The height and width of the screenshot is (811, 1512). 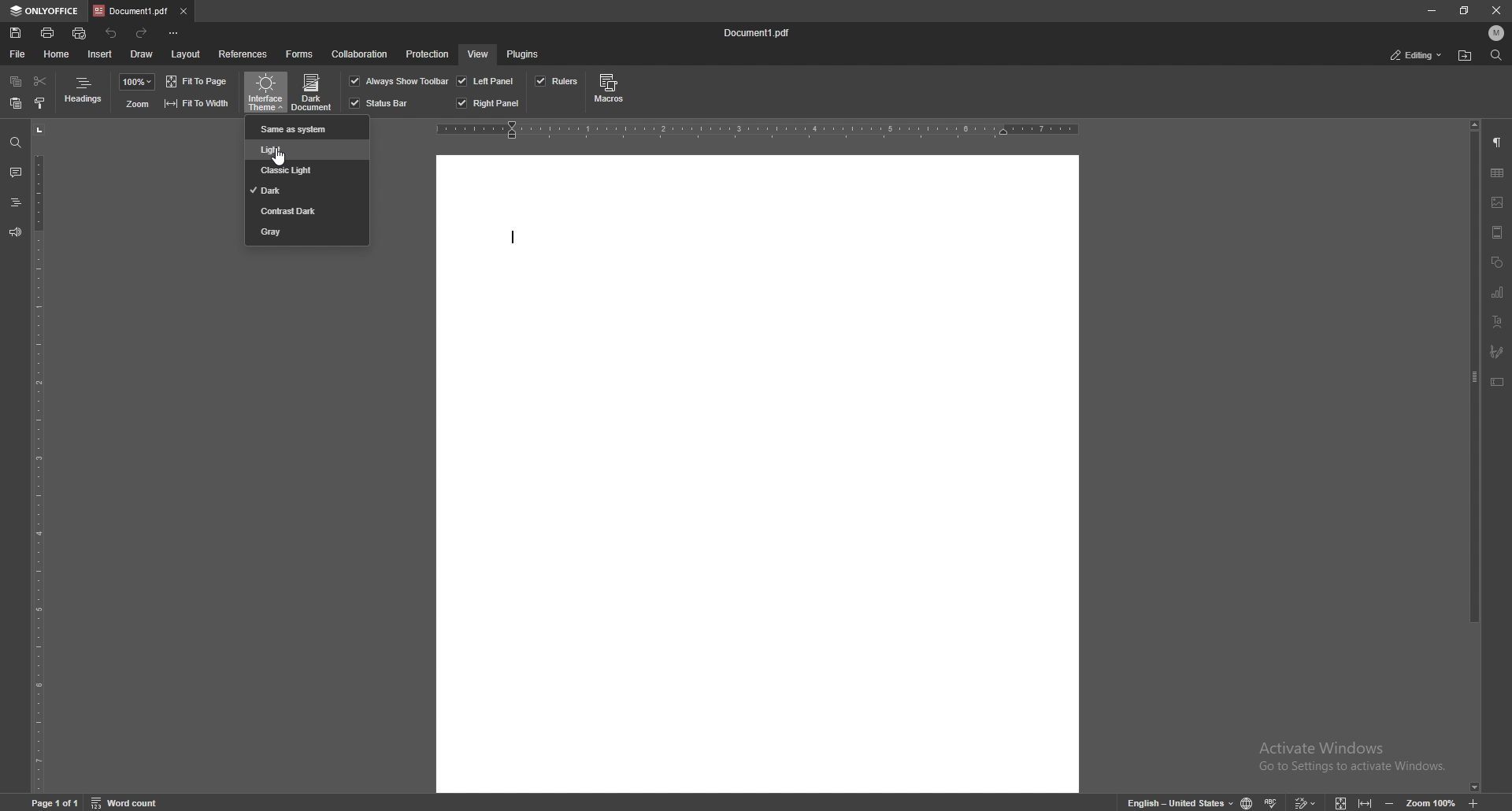 I want to click on undo, so click(x=112, y=33).